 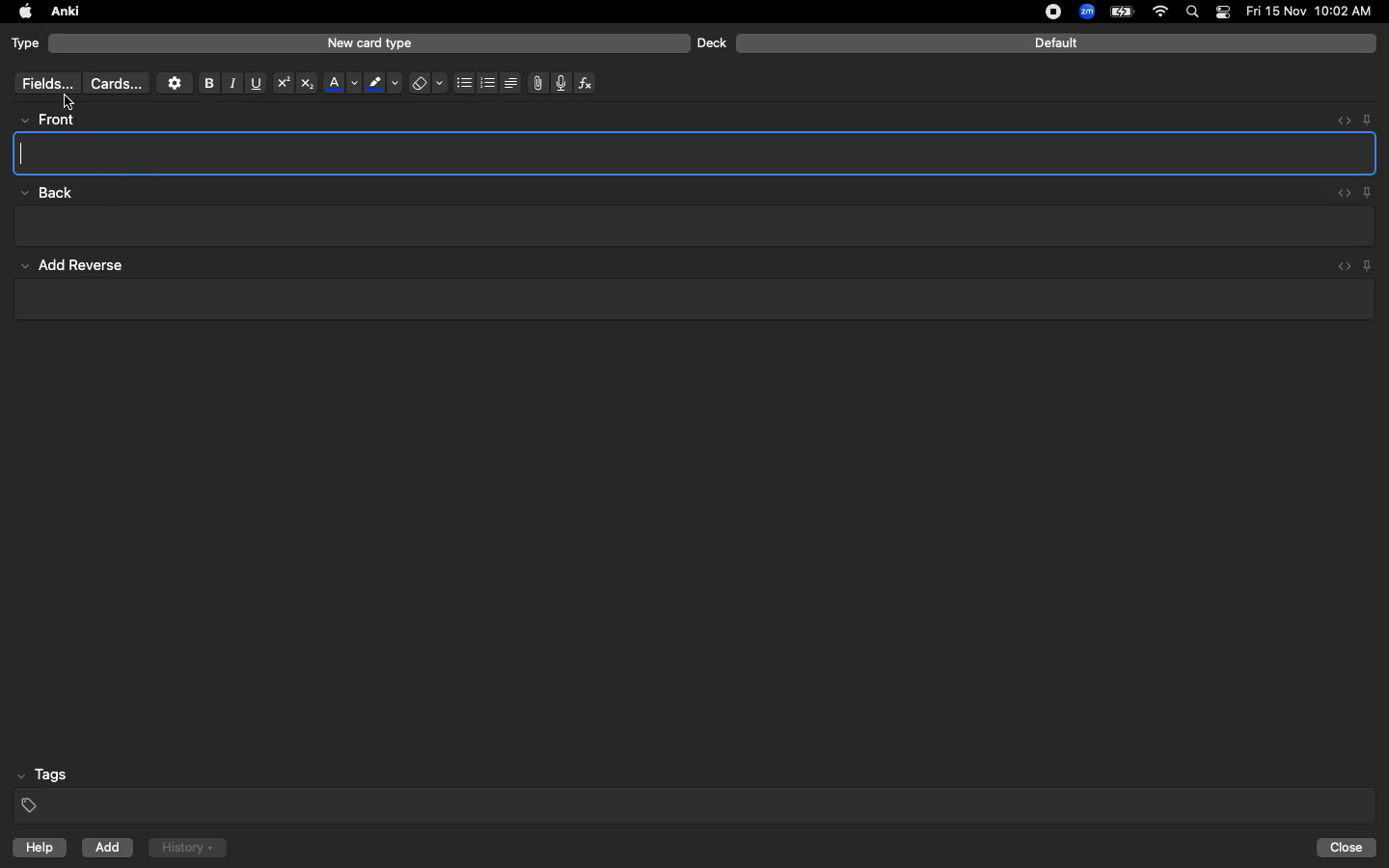 I want to click on Deck, so click(x=711, y=42).